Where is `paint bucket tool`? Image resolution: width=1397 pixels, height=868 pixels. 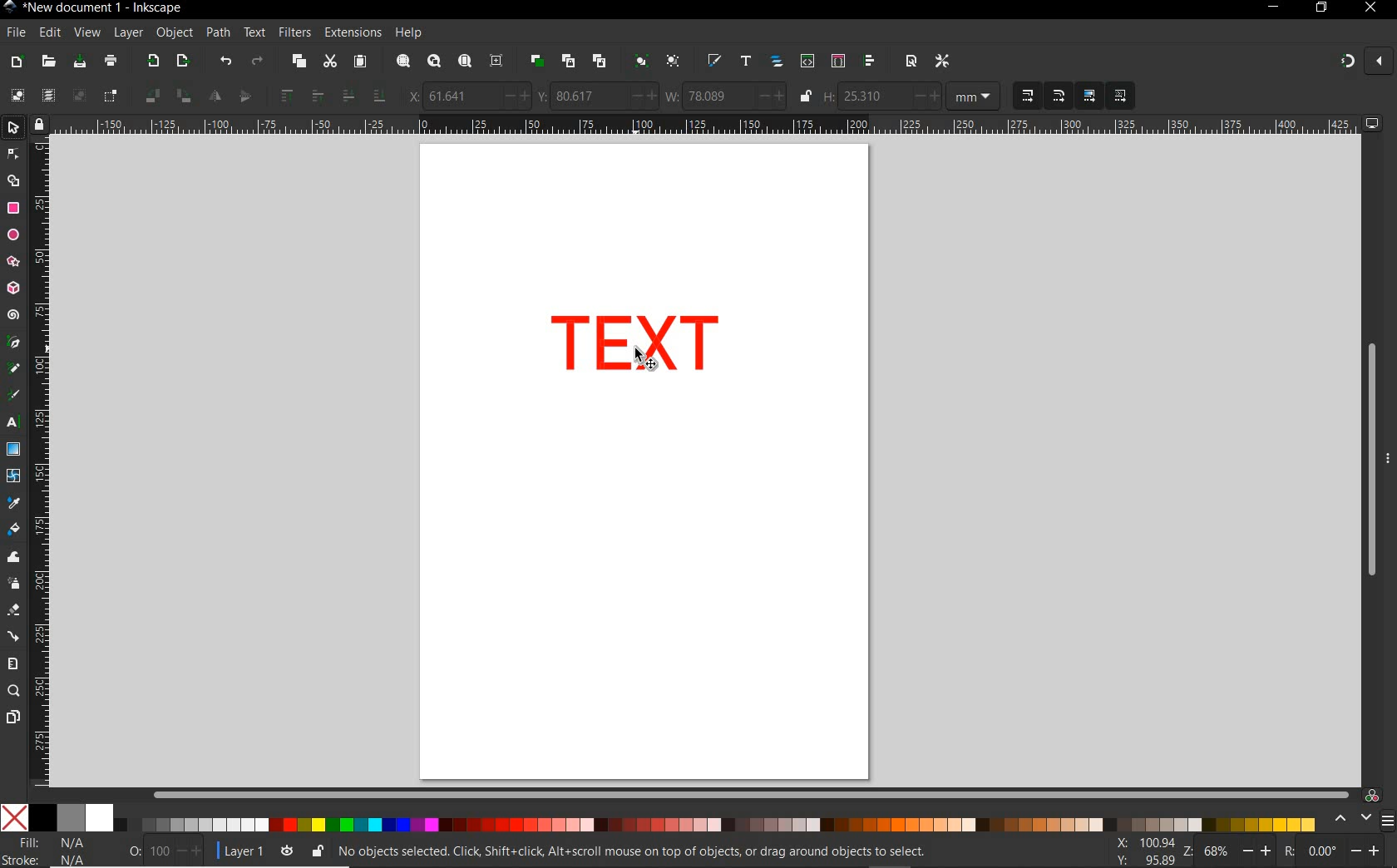 paint bucket tool is located at coordinates (14, 530).